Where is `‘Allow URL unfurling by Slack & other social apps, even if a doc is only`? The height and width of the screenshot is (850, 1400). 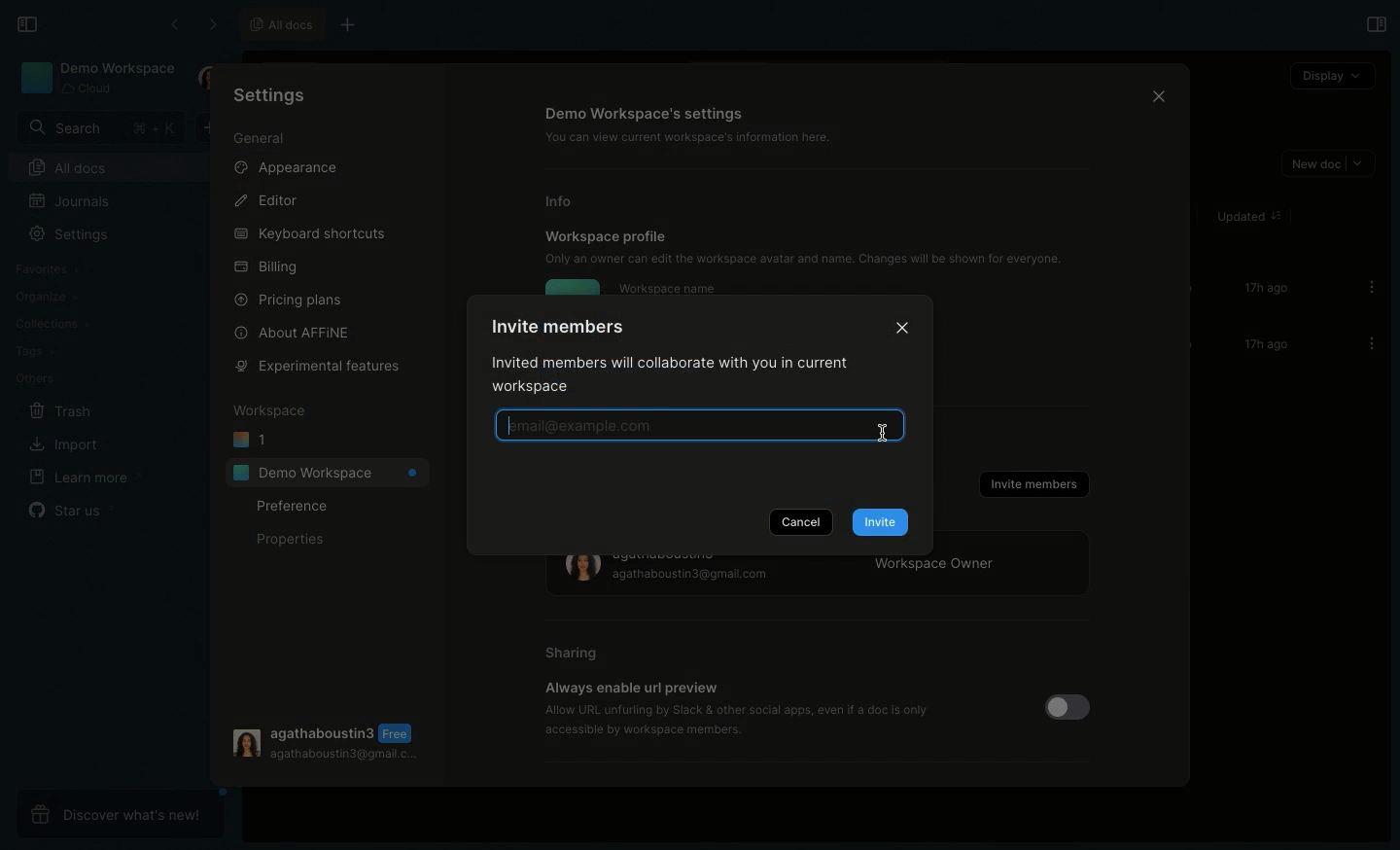
‘Allow URL unfurling by Slack & other social apps, even if a doc is only is located at coordinates (738, 709).